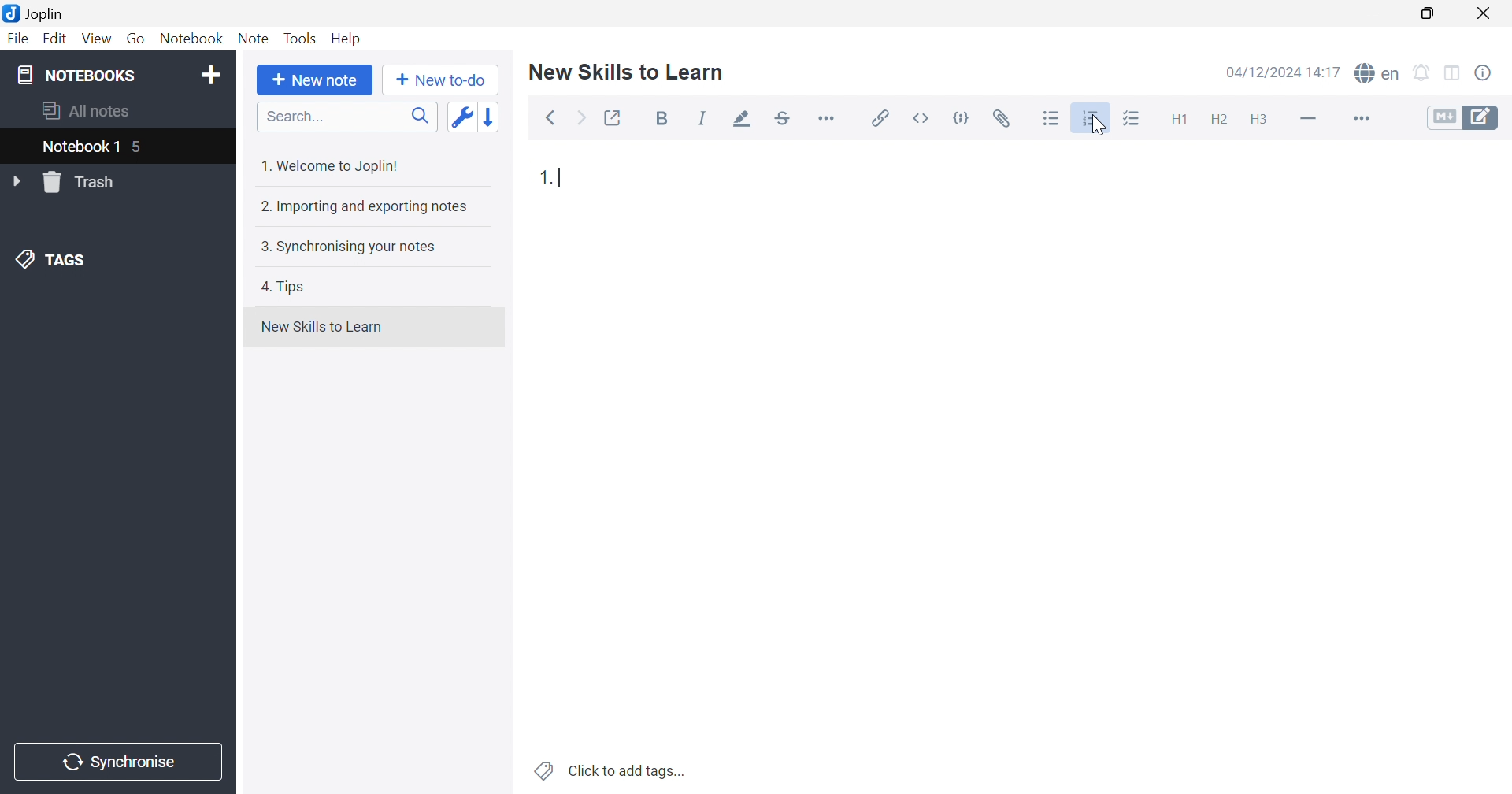  I want to click on Toggl external editing, so click(614, 118).